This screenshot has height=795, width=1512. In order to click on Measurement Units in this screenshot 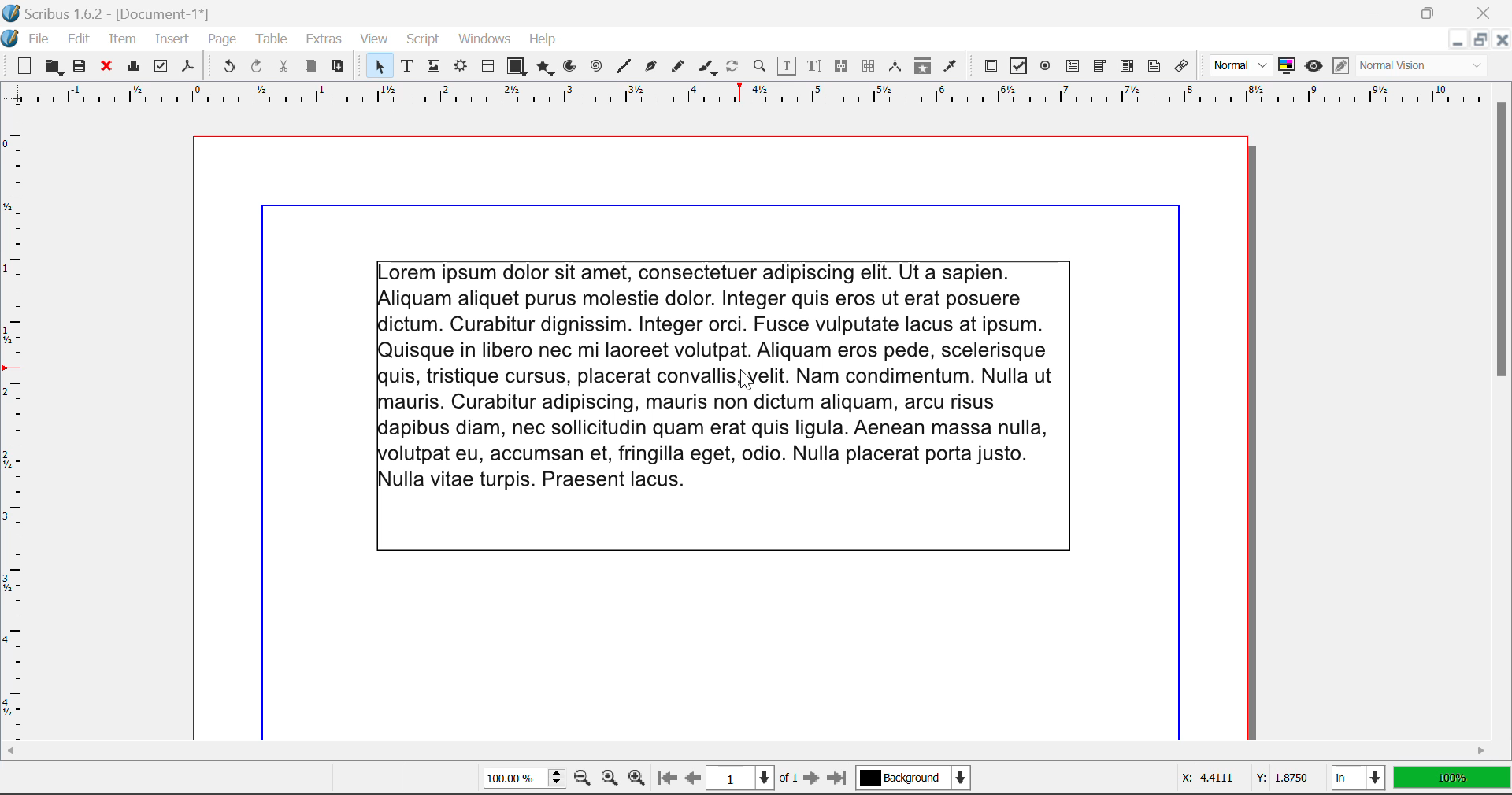, I will do `click(1360, 780)`.